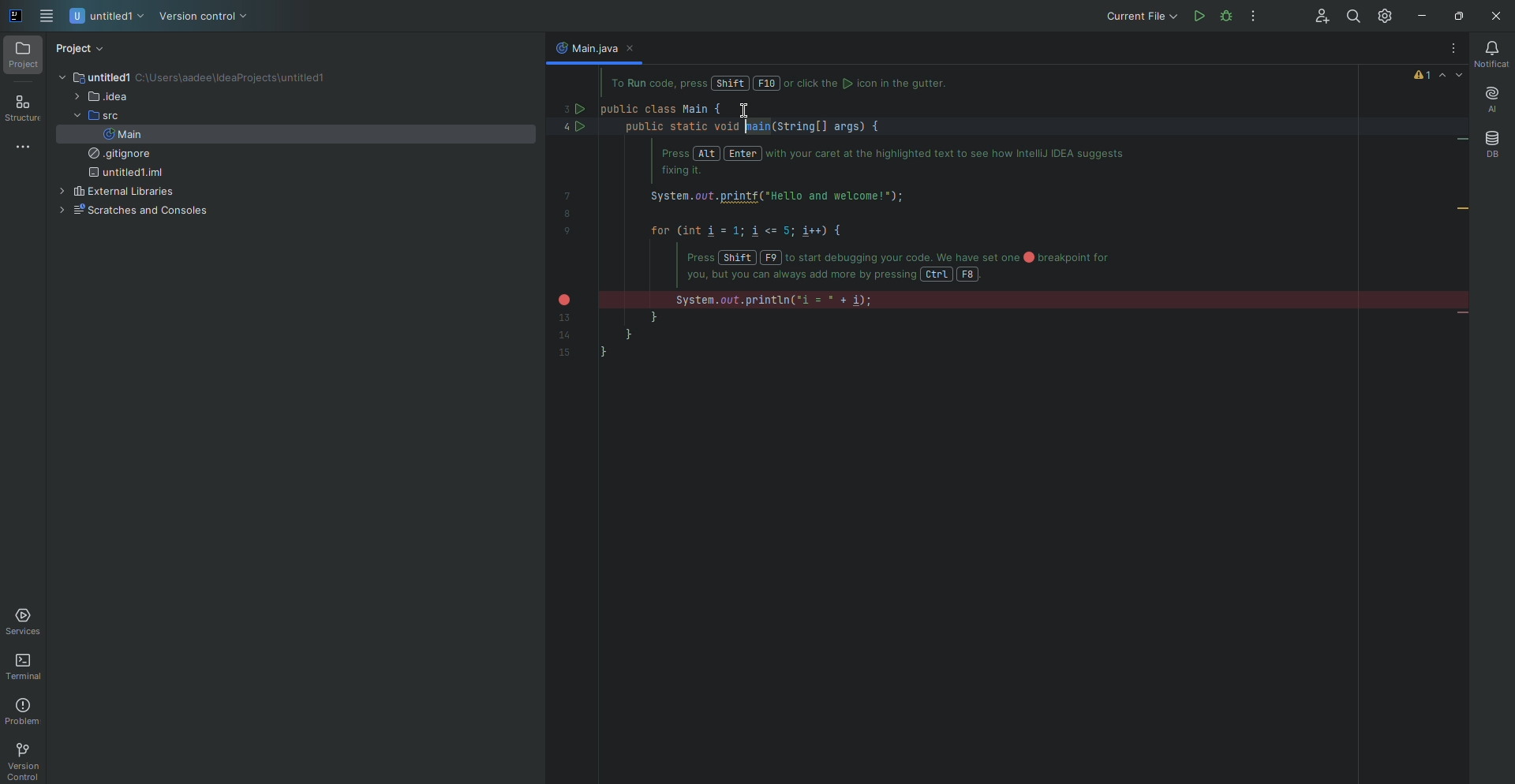  I want to click on Main, so click(122, 134).